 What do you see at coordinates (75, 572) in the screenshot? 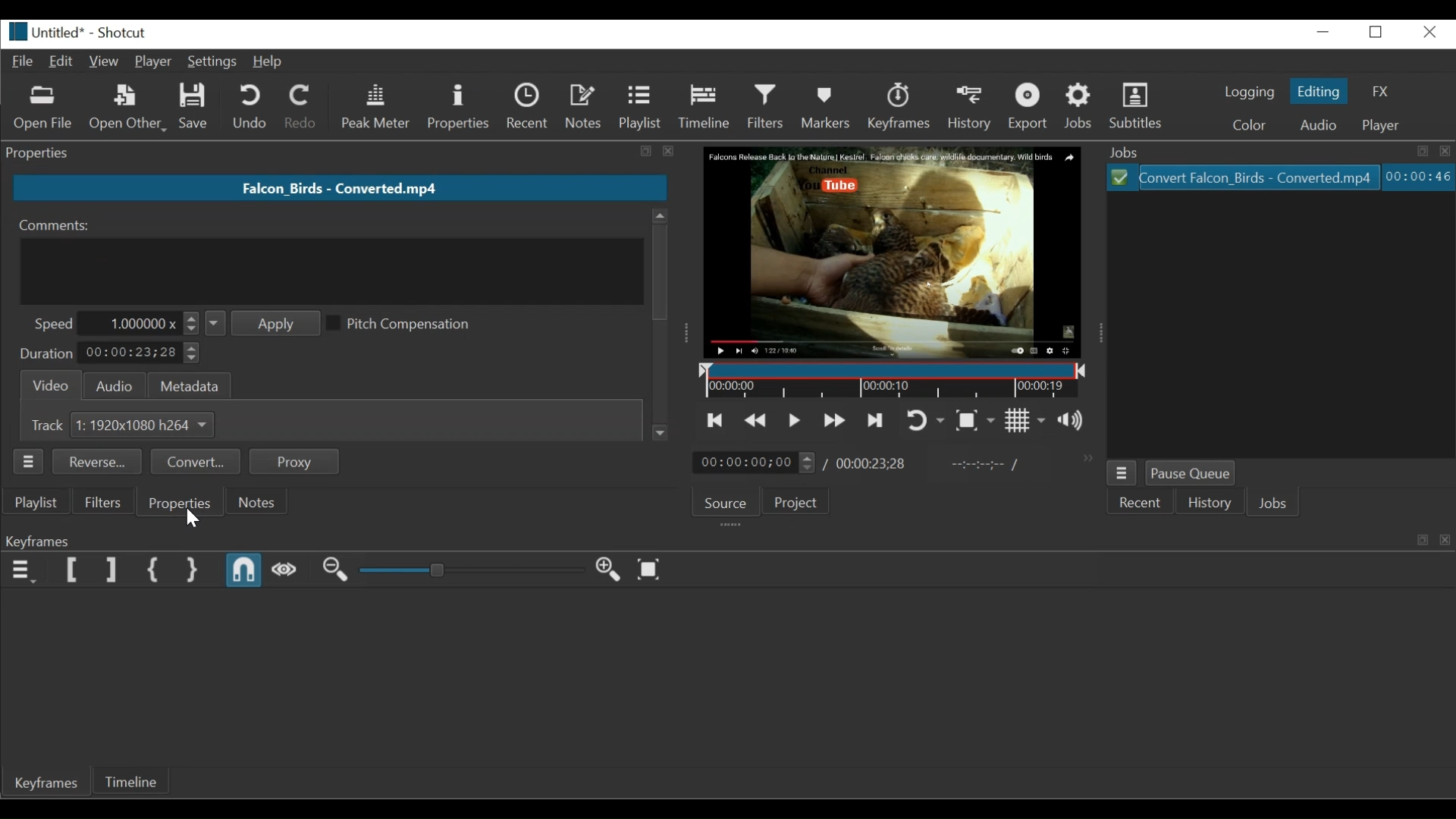
I see `Set Filter first` at bounding box center [75, 572].